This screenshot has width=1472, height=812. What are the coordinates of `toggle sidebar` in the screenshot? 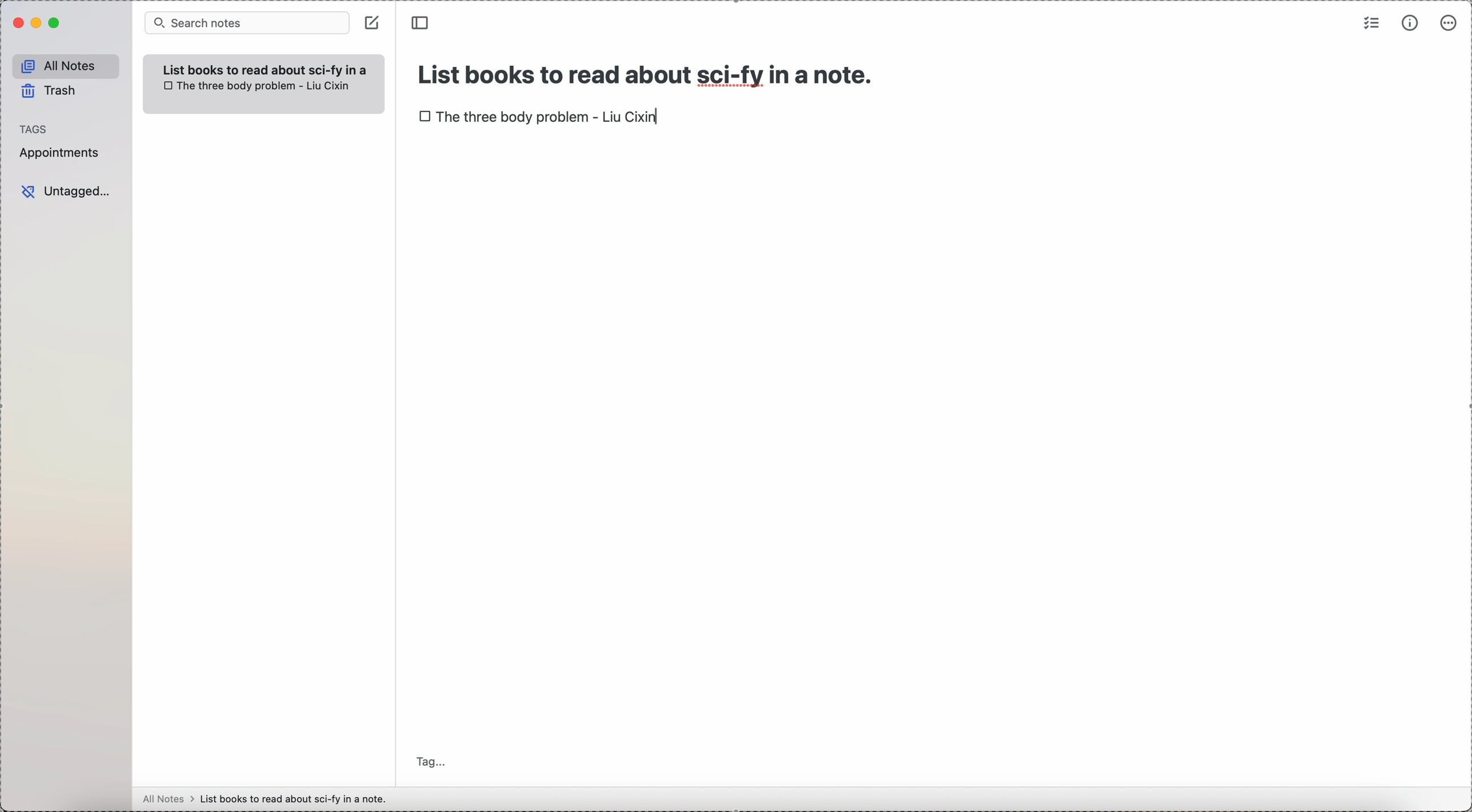 It's located at (422, 22).